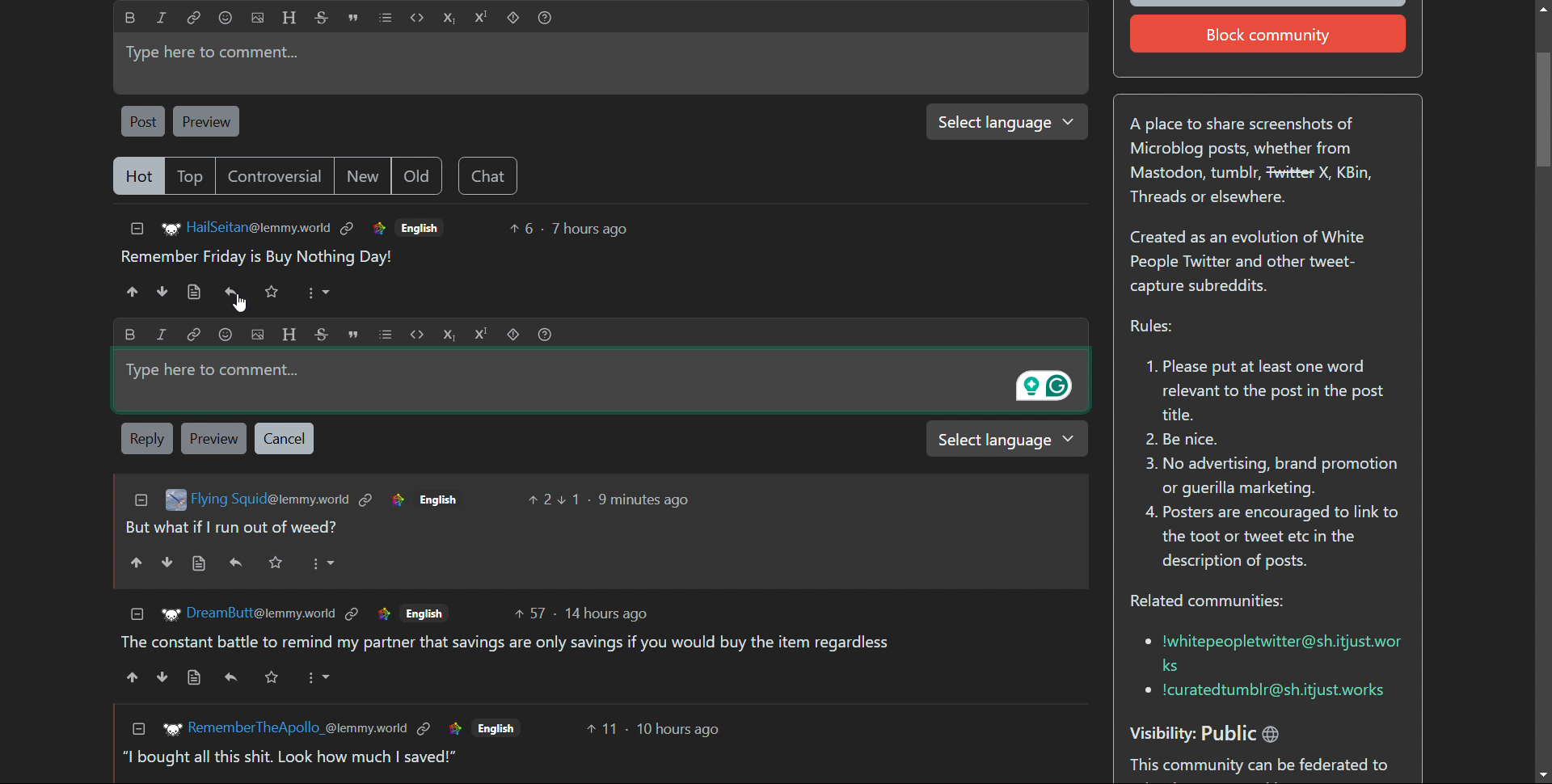 The width and height of the screenshot is (1552, 784). What do you see at coordinates (317, 293) in the screenshot?
I see `More` at bounding box center [317, 293].